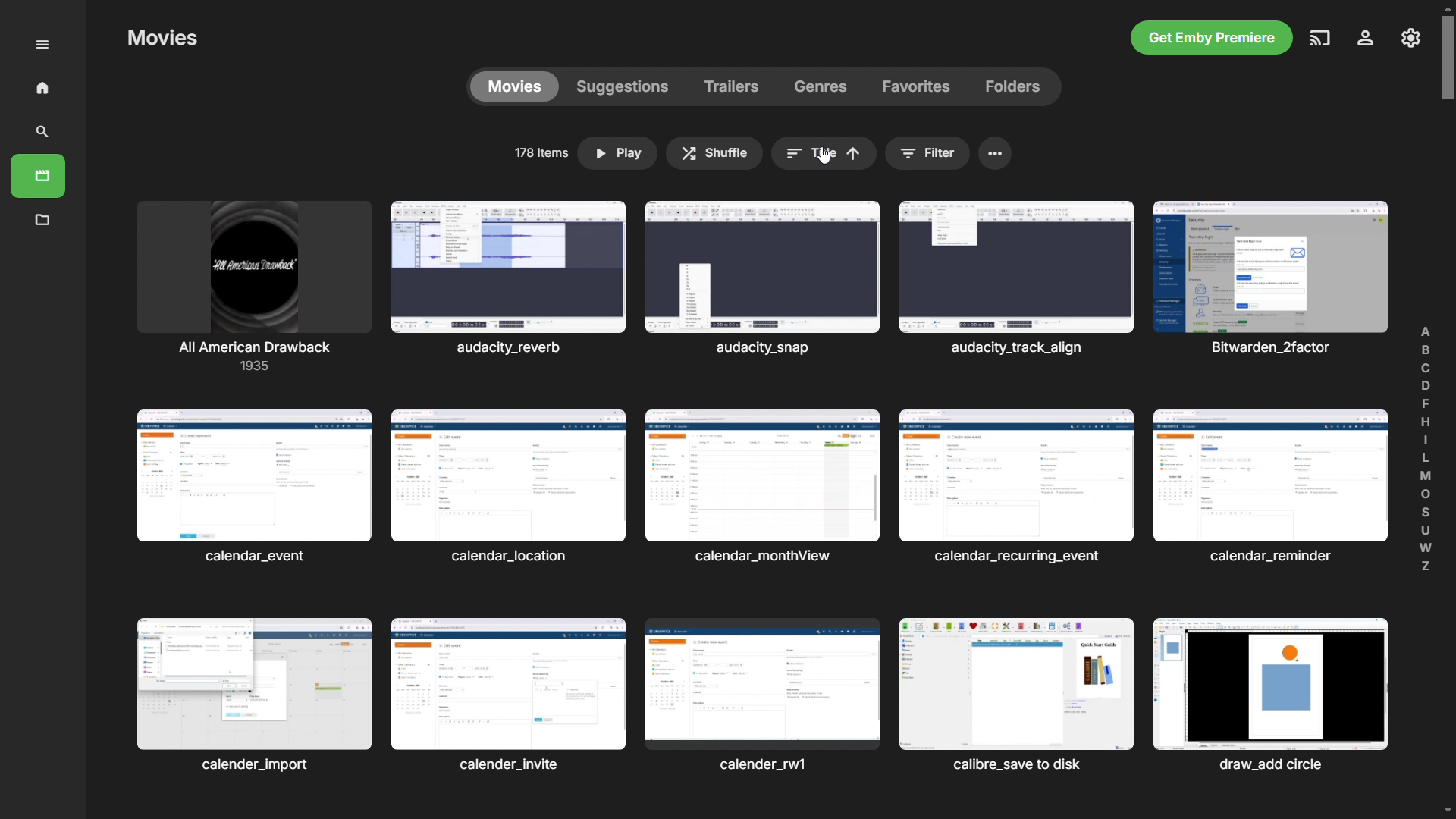 The height and width of the screenshot is (819, 1456). What do you see at coordinates (252, 287) in the screenshot?
I see `movies` at bounding box center [252, 287].